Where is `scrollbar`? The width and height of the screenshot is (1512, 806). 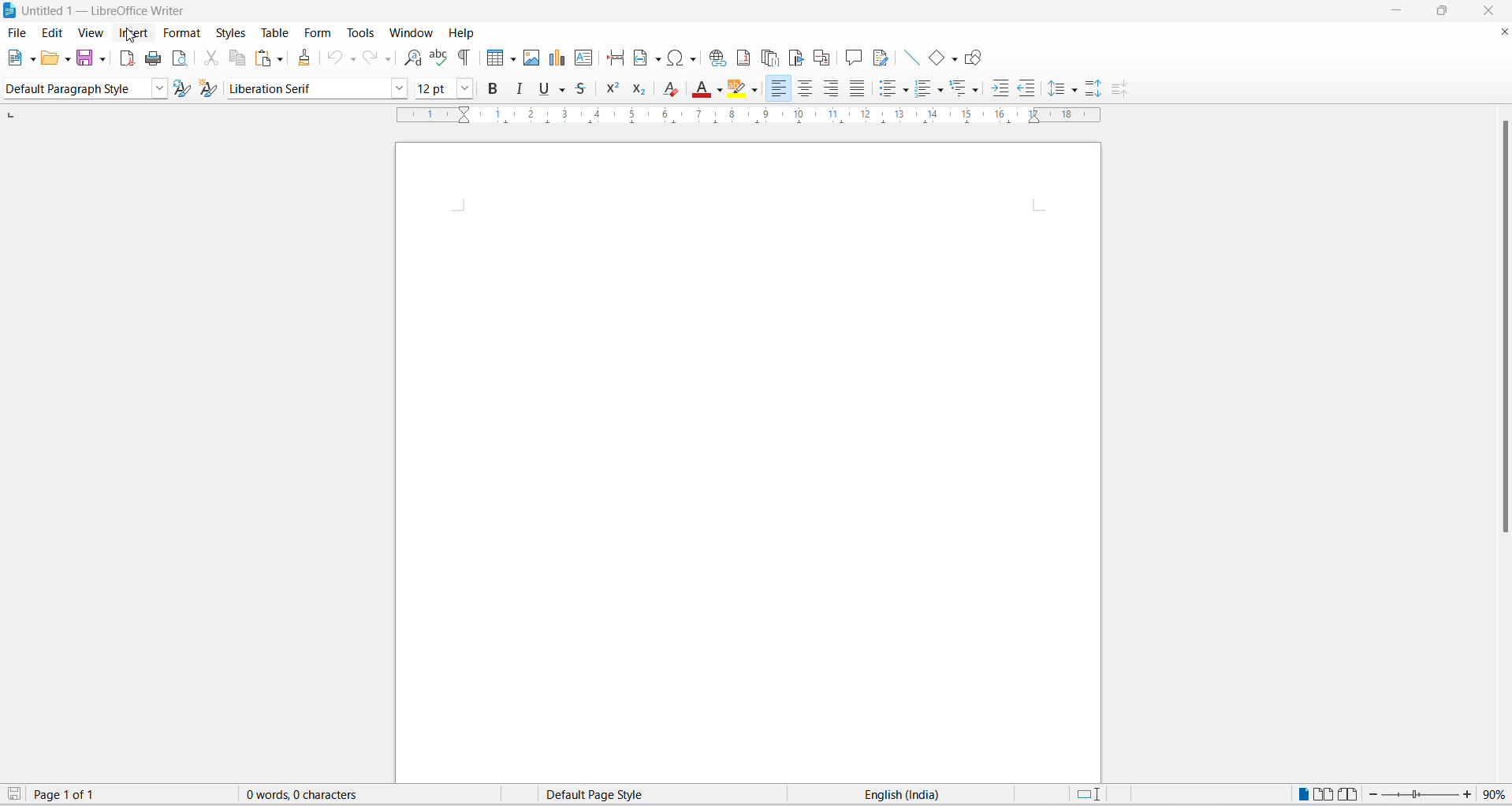
scrollbar is located at coordinates (1501, 330).